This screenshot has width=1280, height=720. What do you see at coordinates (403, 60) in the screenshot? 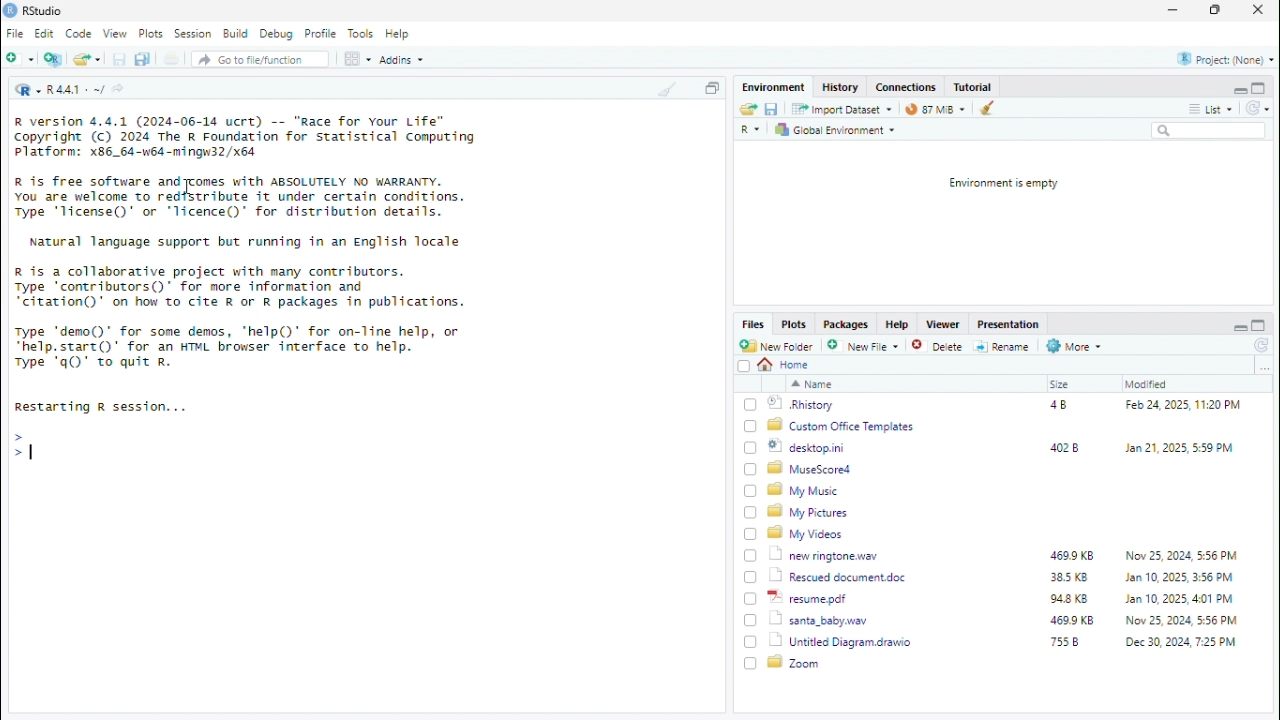
I see `Addins` at bounding box center [403, 60].